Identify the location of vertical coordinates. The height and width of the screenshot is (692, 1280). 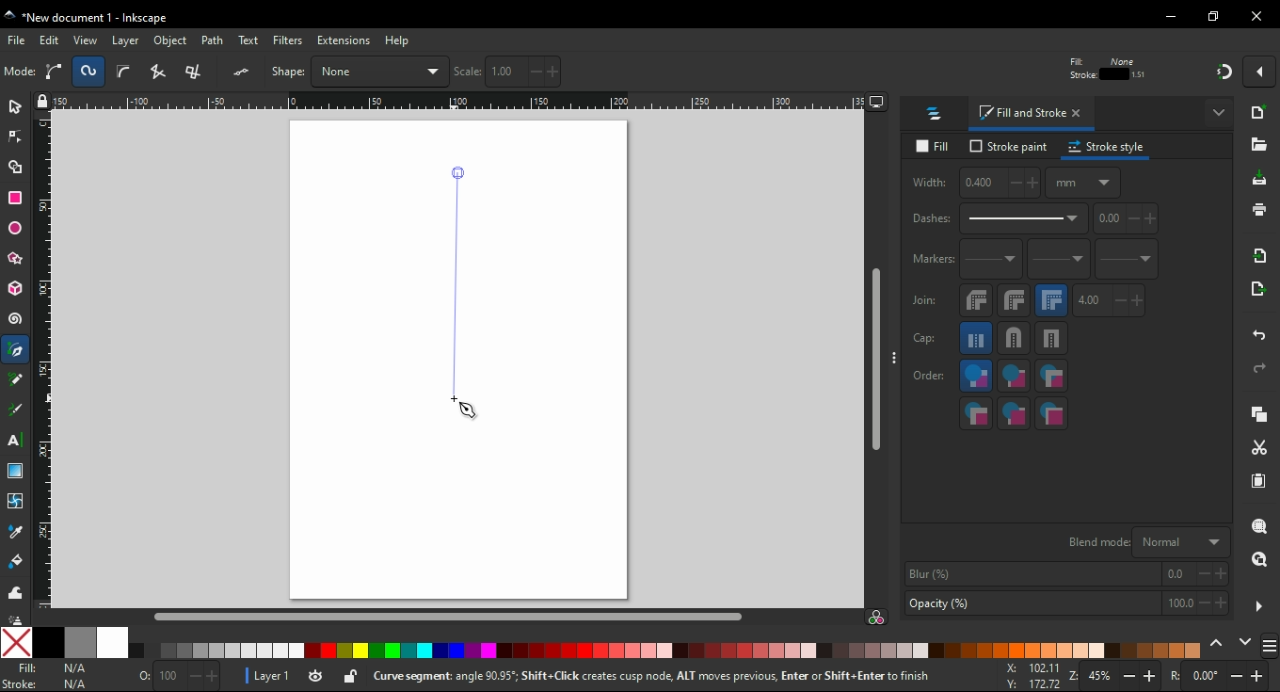
(643, 71).